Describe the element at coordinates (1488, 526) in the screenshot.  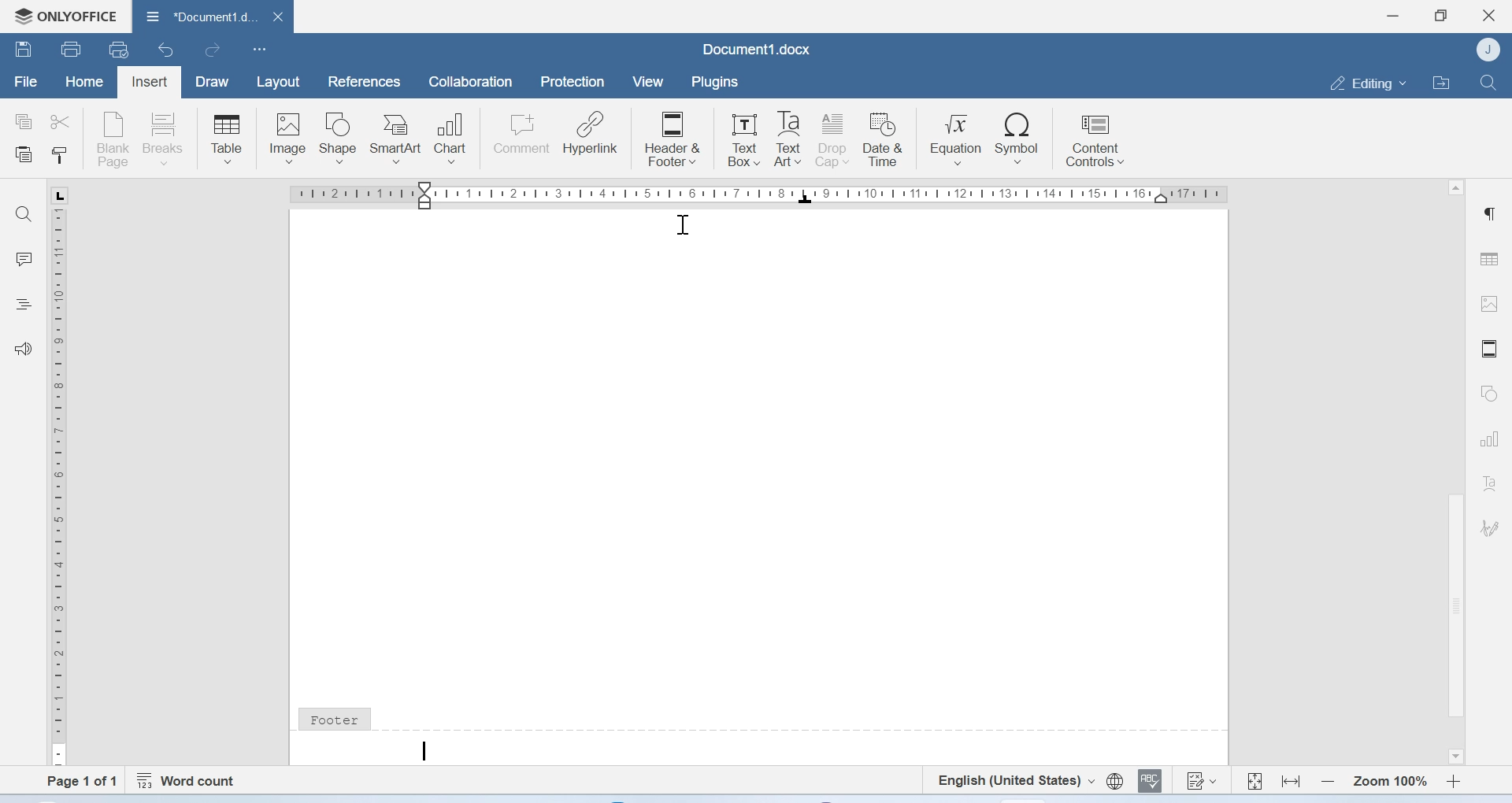
I see `Signature` at that location.